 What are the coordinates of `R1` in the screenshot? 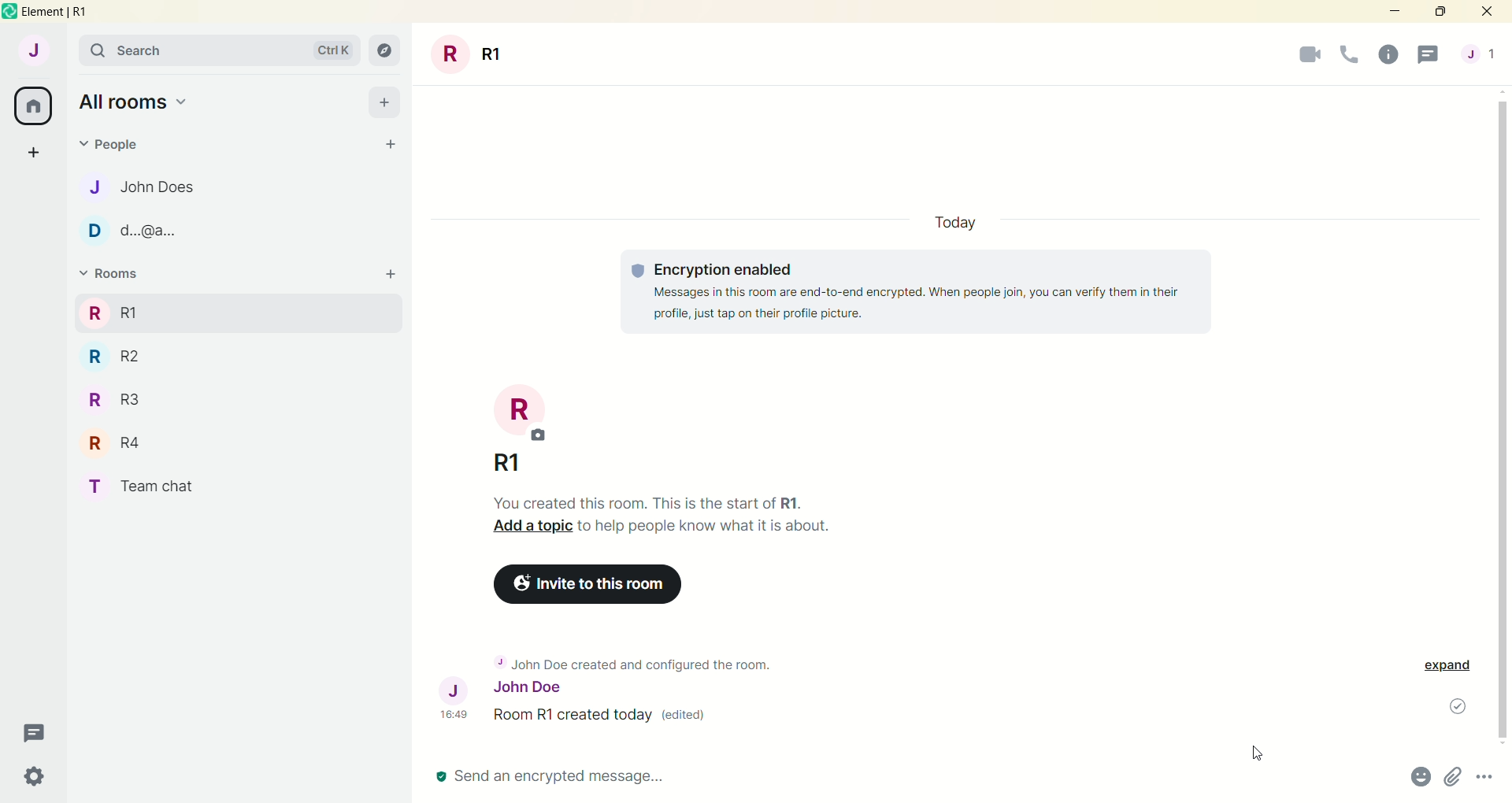 It's located at (584, 462).